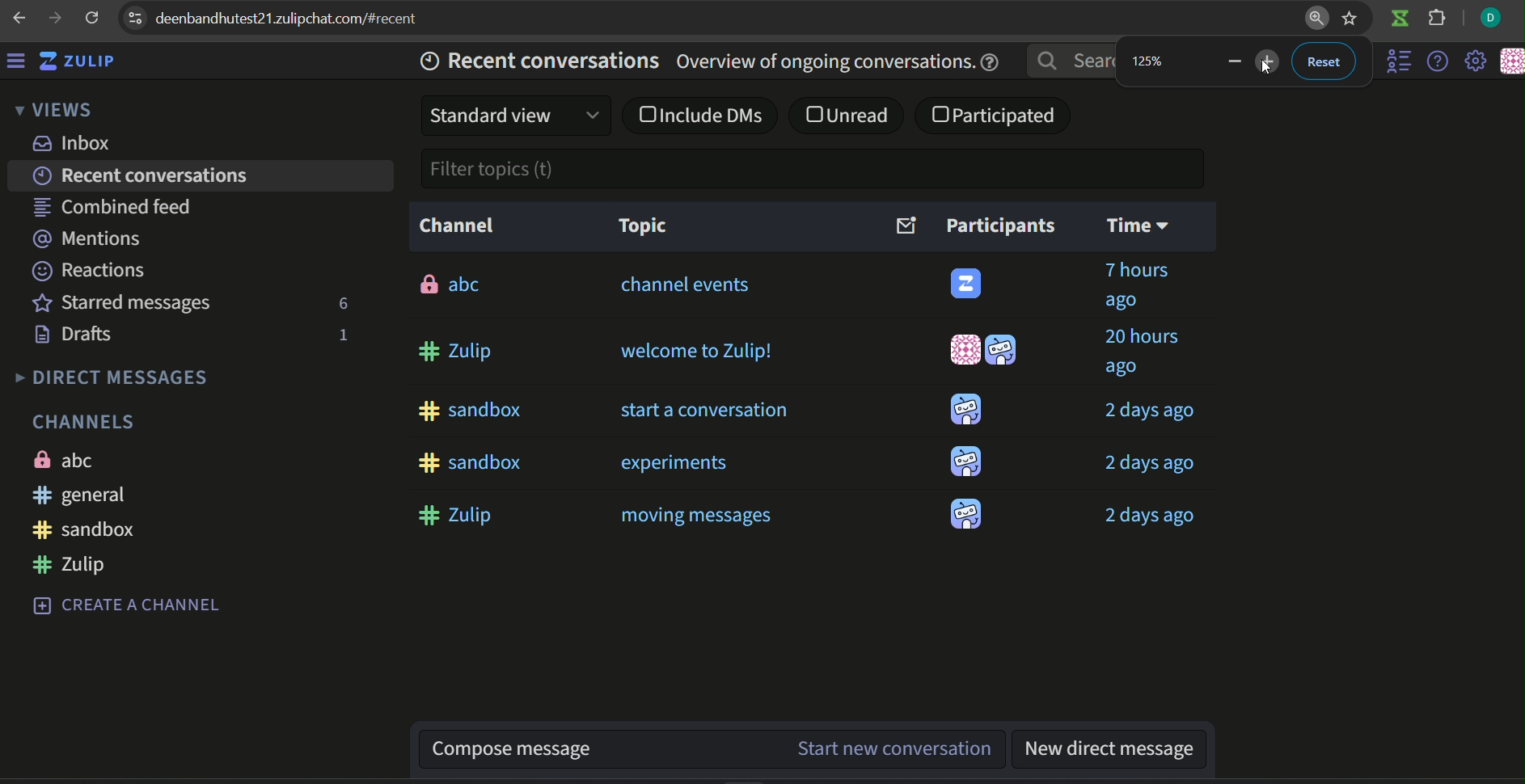 The image size is (1525, 784). I want to click on include DMs, so click(700, 114).